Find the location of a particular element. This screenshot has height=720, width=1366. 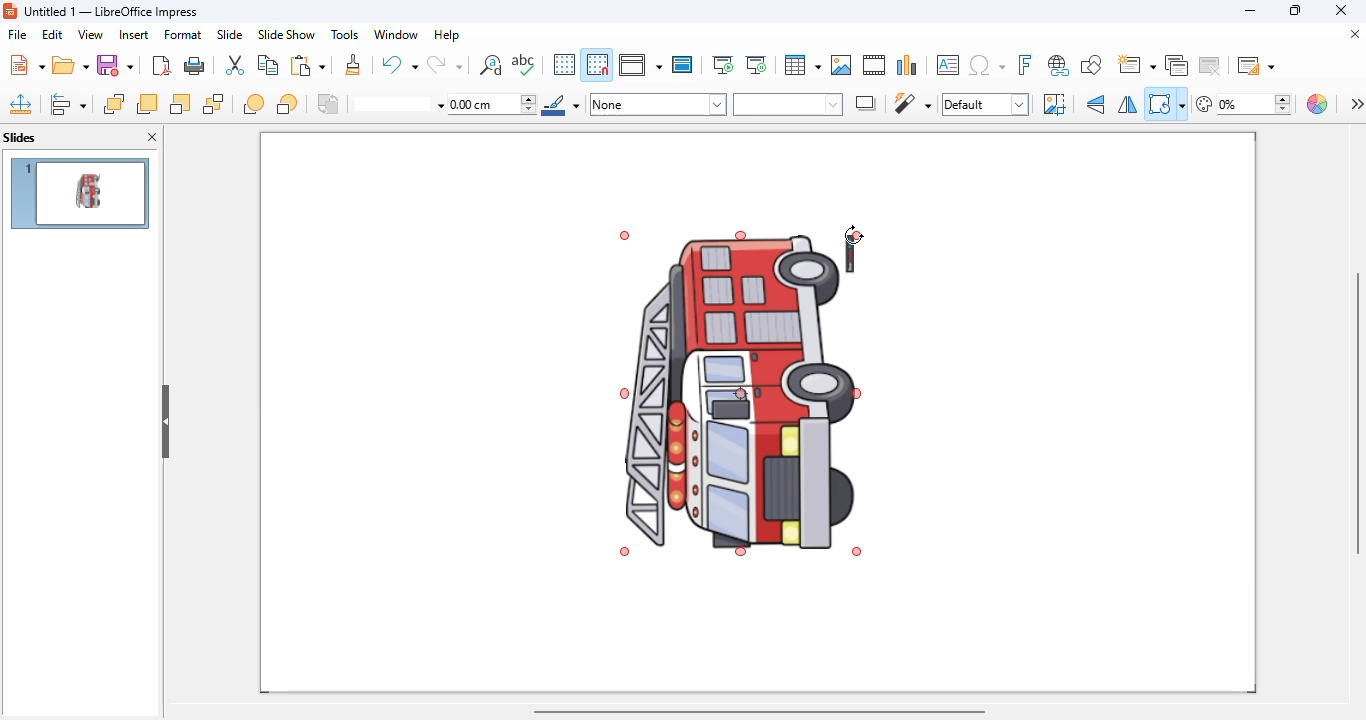

area style/filling is located at coordinates (659, 104).